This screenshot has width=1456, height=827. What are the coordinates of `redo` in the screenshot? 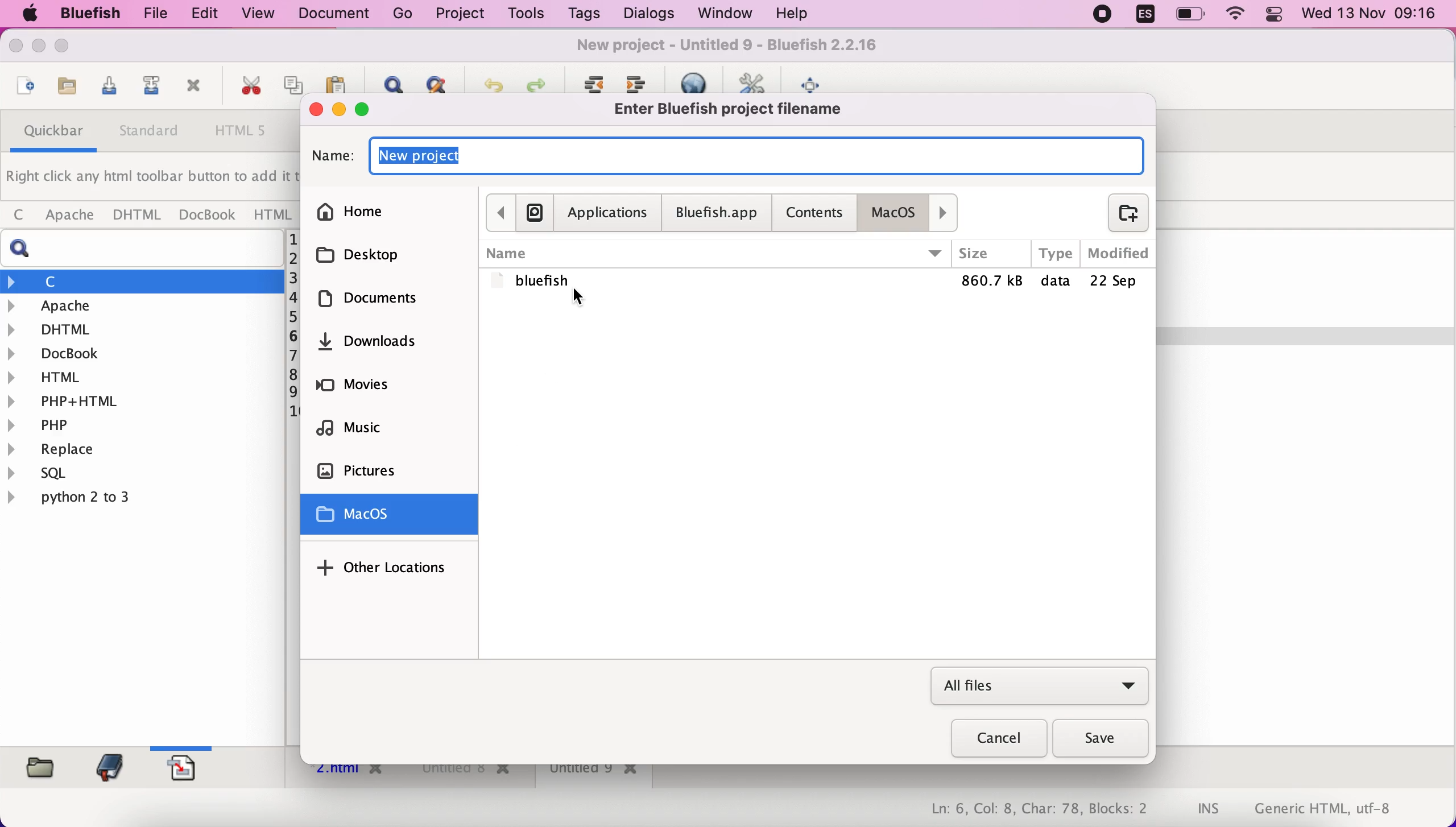 It's located at (535, 82).